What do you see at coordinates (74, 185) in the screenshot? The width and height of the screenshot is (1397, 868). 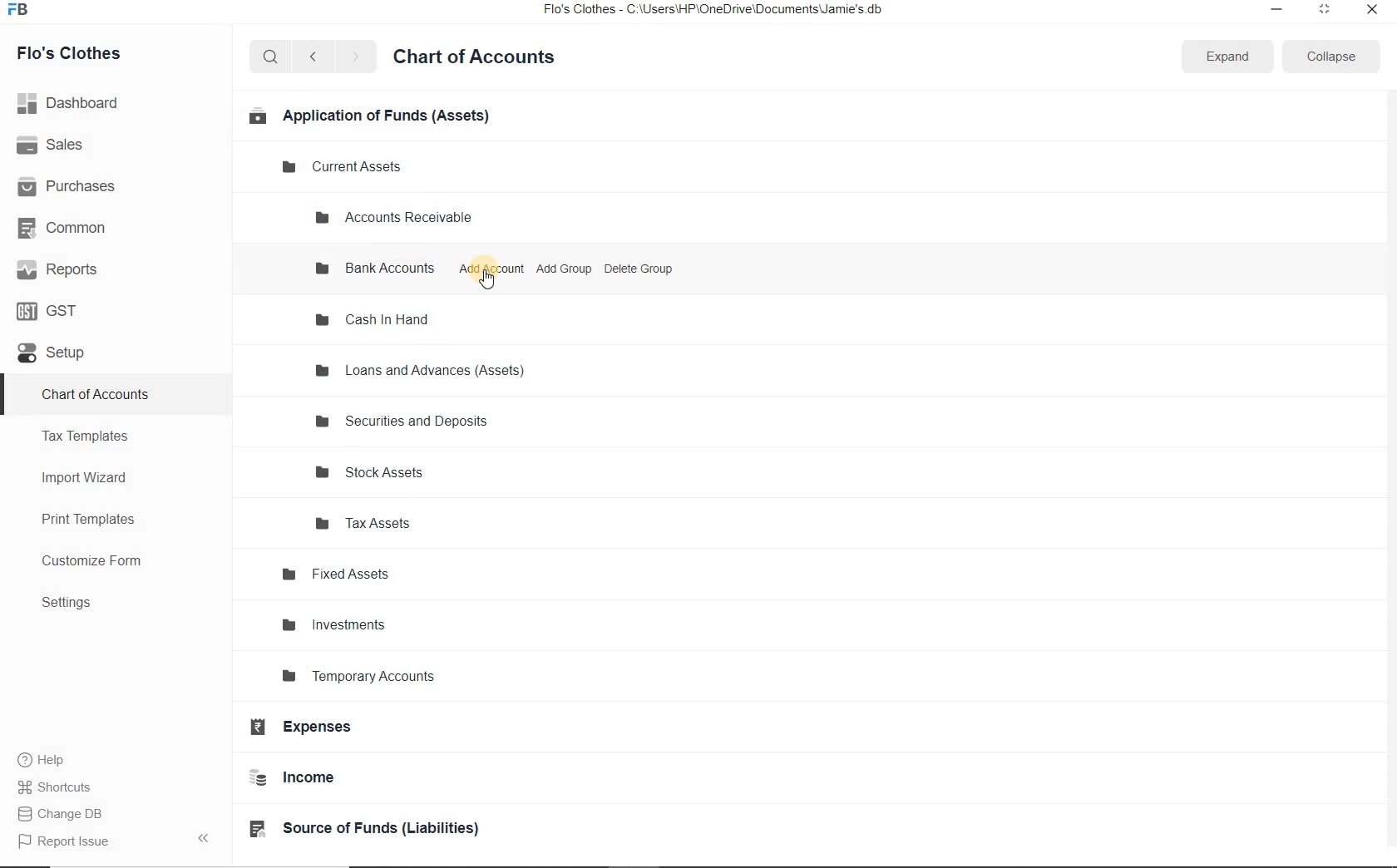 I see `Purchases` at bounding box center [74, 185].